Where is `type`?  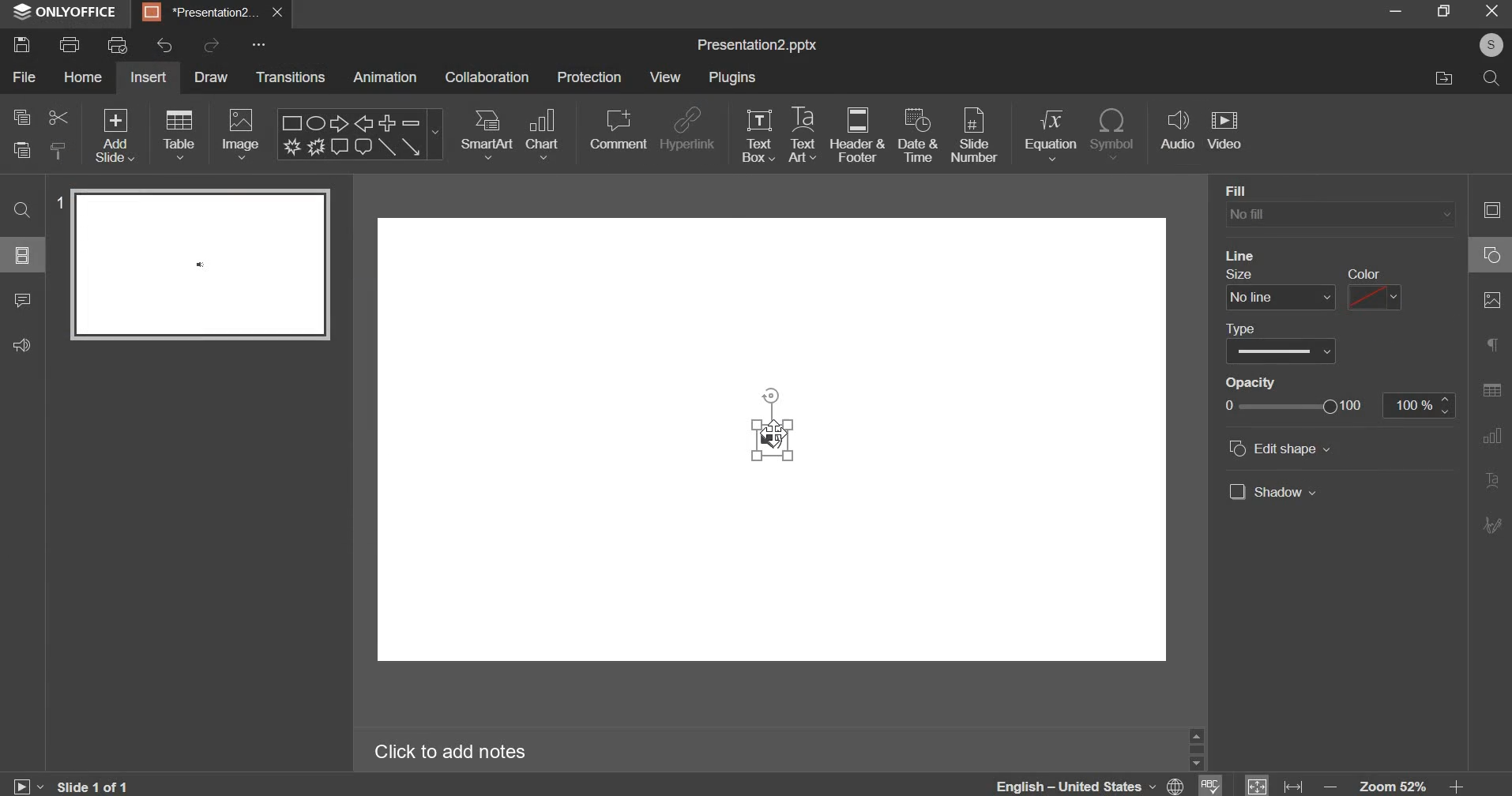
type is located at coordinates (1240, 329).